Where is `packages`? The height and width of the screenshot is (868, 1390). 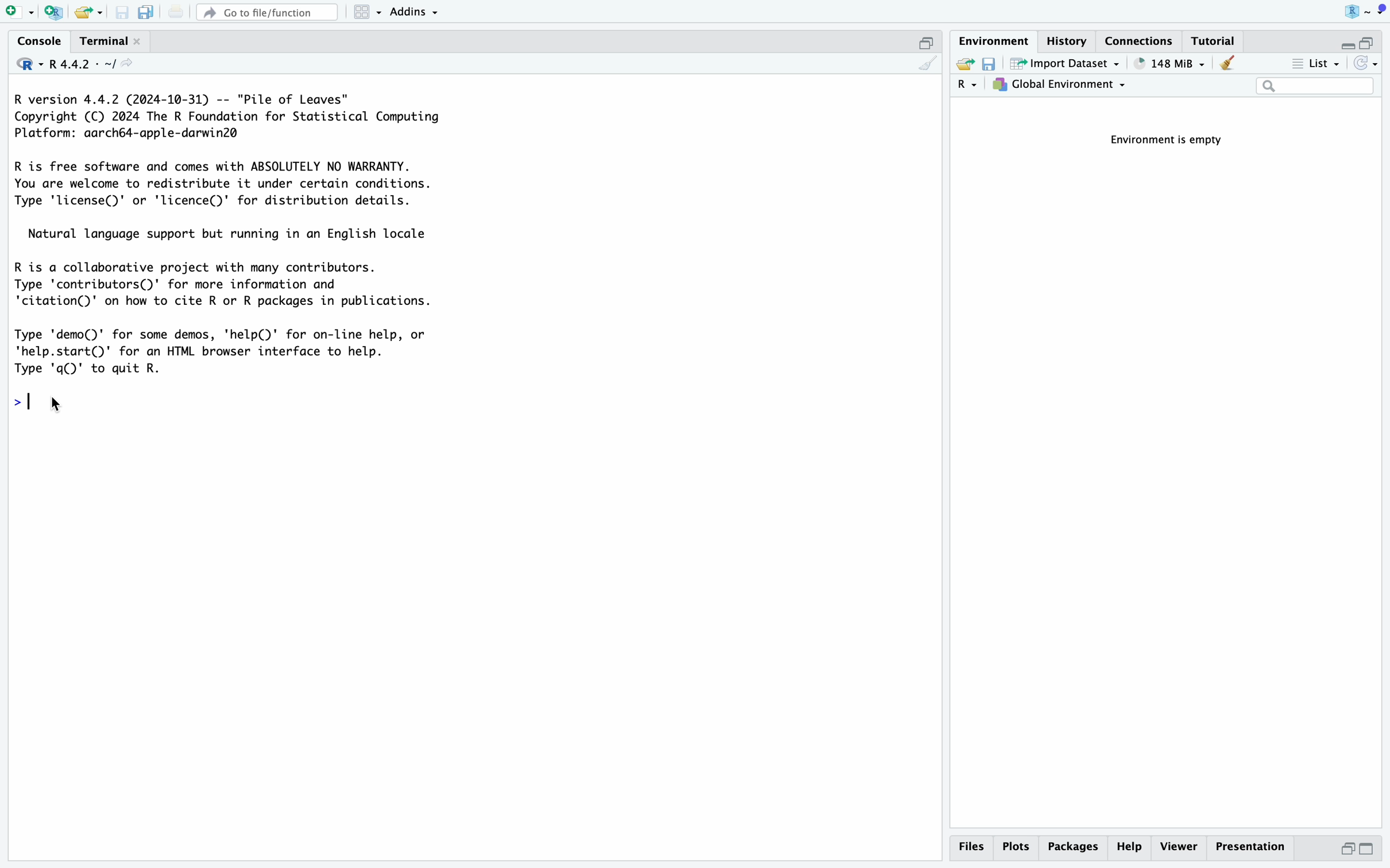 packages is located at coordinates (1072, 849).